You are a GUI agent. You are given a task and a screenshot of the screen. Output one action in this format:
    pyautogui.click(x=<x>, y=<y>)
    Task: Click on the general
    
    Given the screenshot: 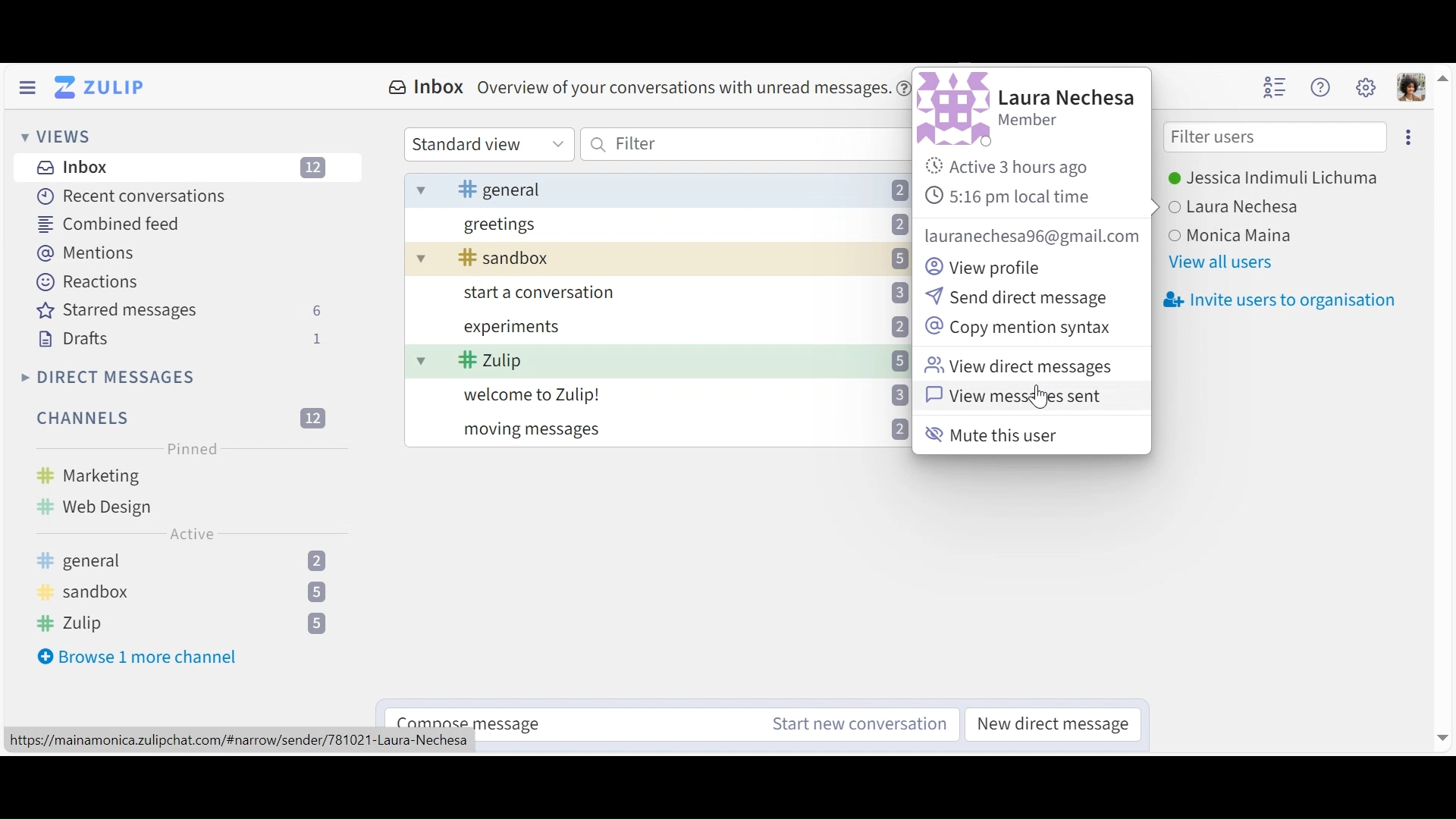 What is the action you would take?
    pyautogui.click(x=657, y=185)
    